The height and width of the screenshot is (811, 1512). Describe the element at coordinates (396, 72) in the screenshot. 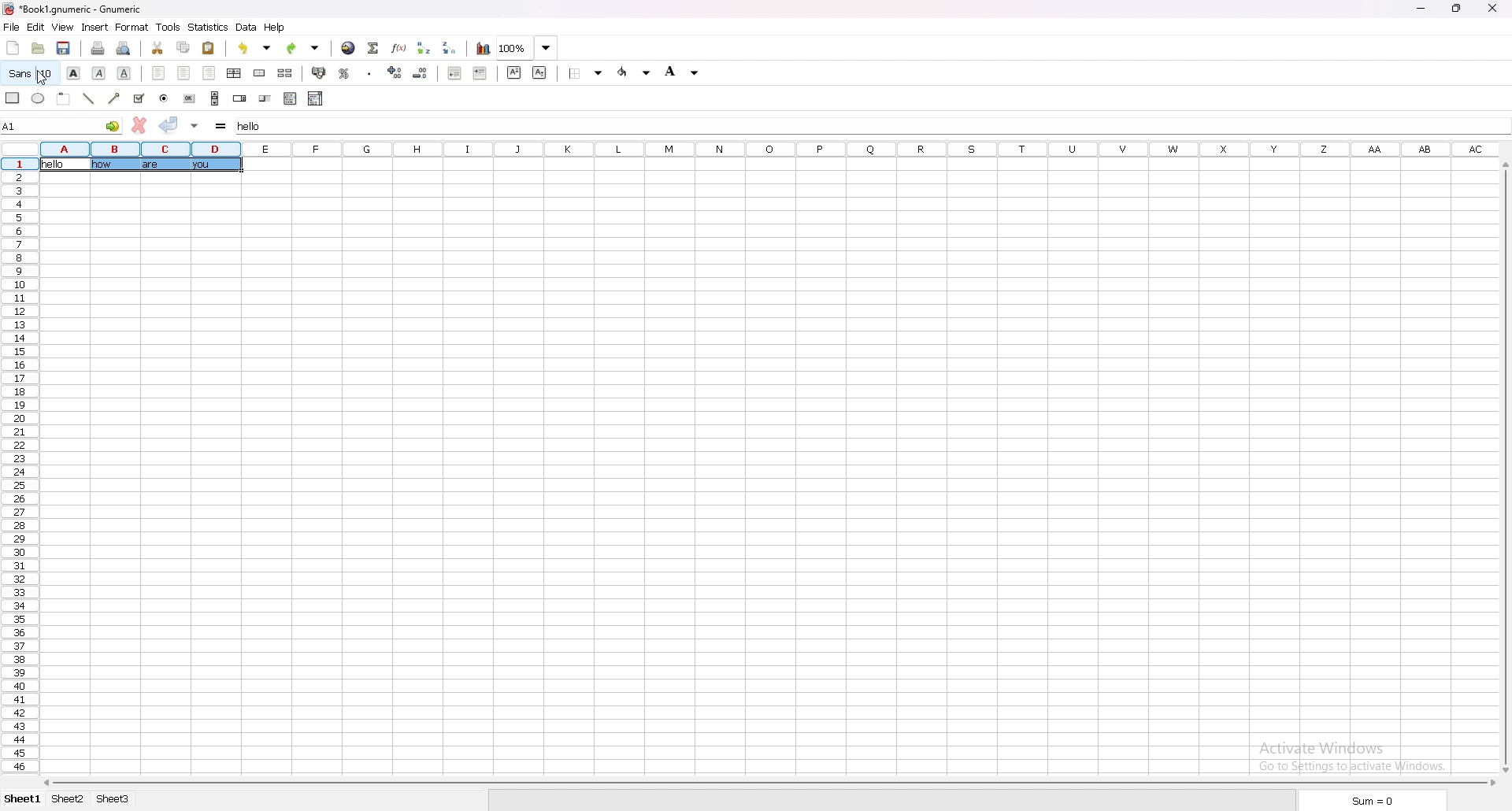

I see `increase decimal` at that location.